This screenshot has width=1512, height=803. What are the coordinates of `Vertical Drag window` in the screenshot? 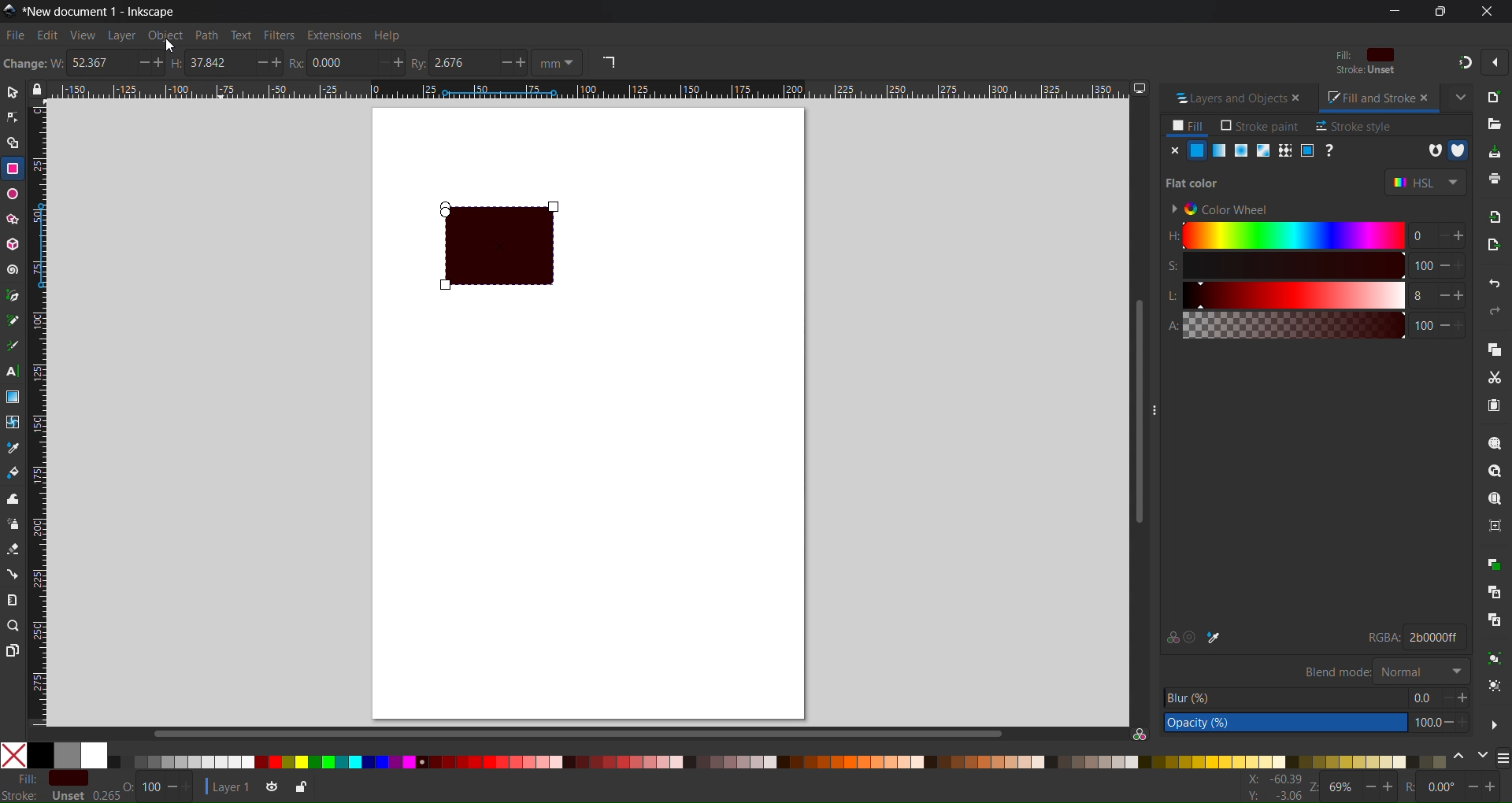 It's located at (1162, 403).